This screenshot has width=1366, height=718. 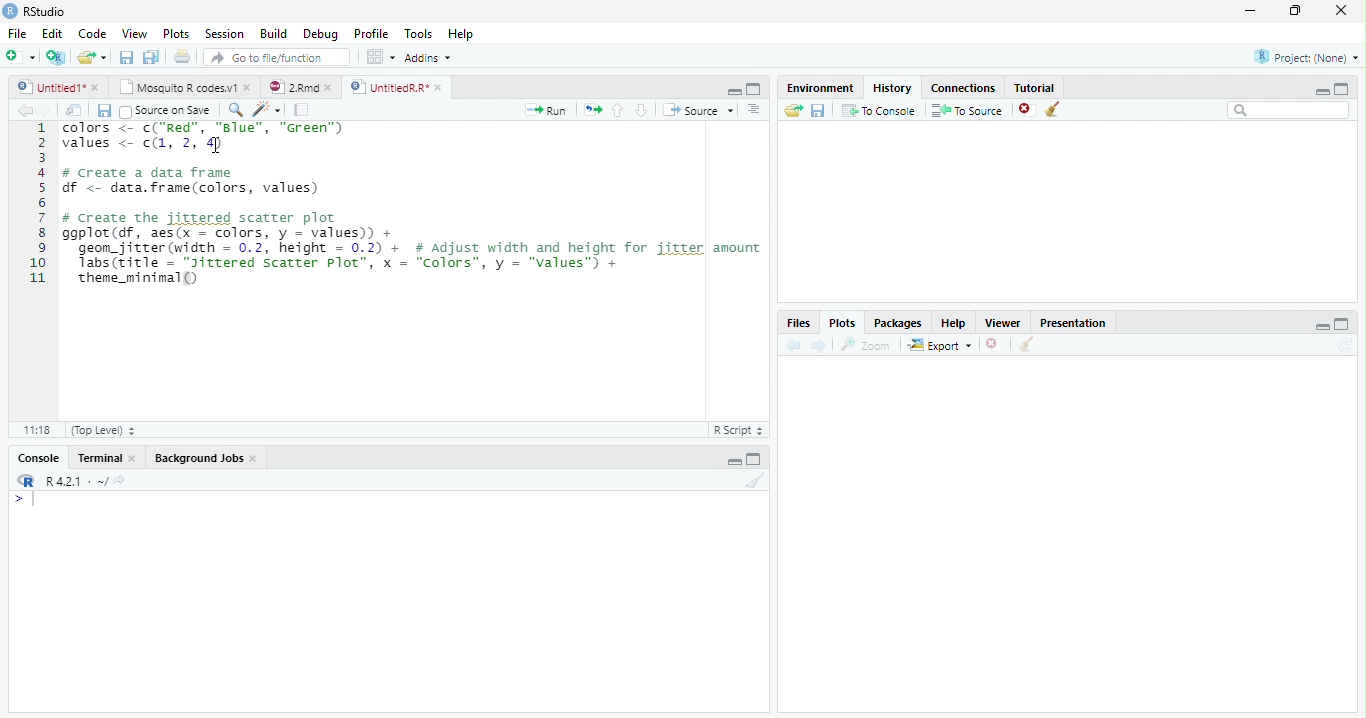 I want to click on close, so click(x=133, y=458).